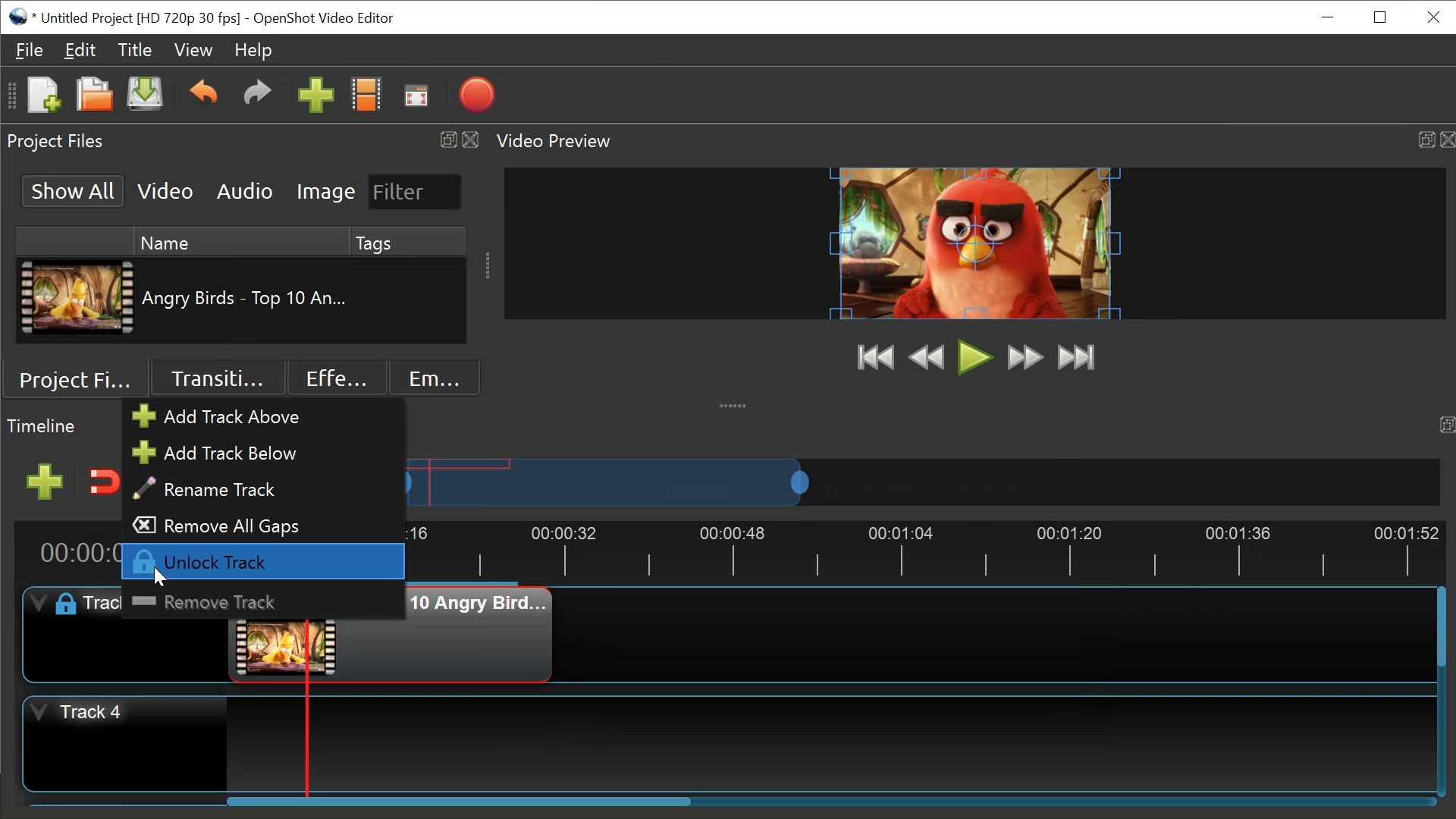  I want to click on Image, so click(327, 191).